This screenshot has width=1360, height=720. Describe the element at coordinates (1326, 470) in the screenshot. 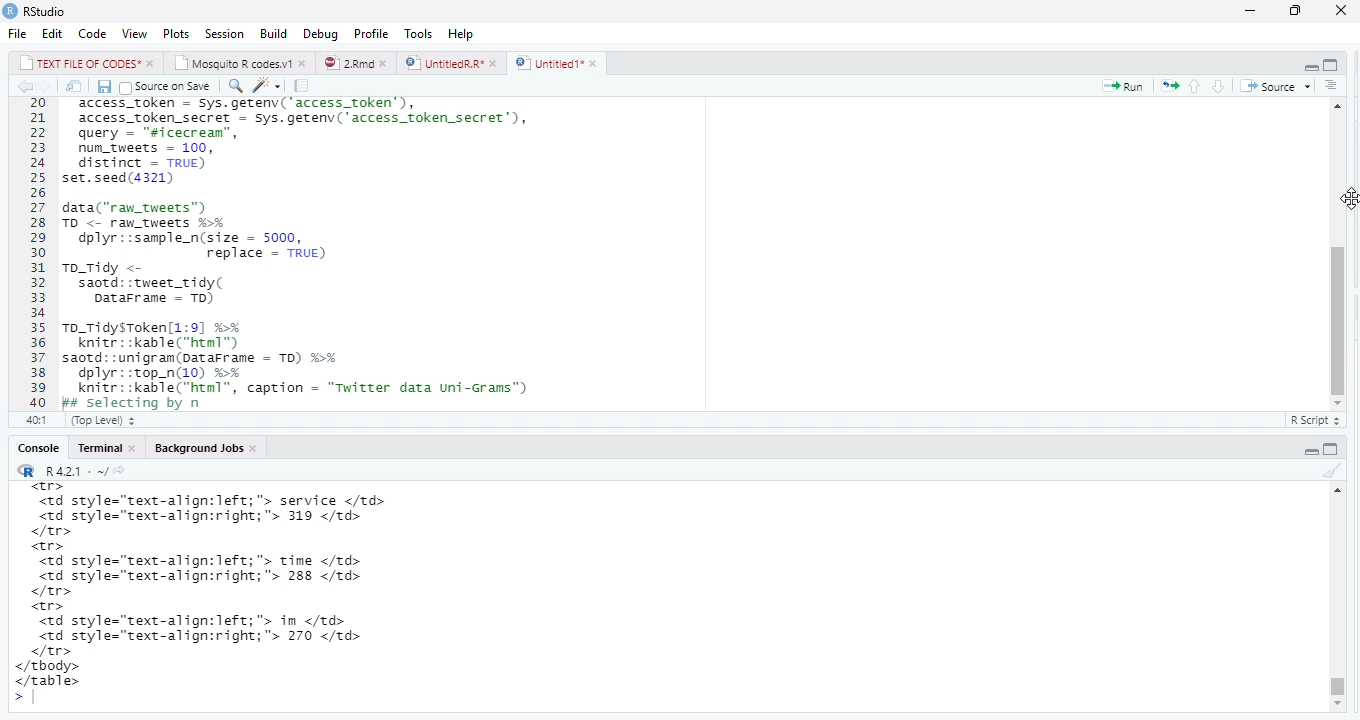

I see `clear console` at that location.